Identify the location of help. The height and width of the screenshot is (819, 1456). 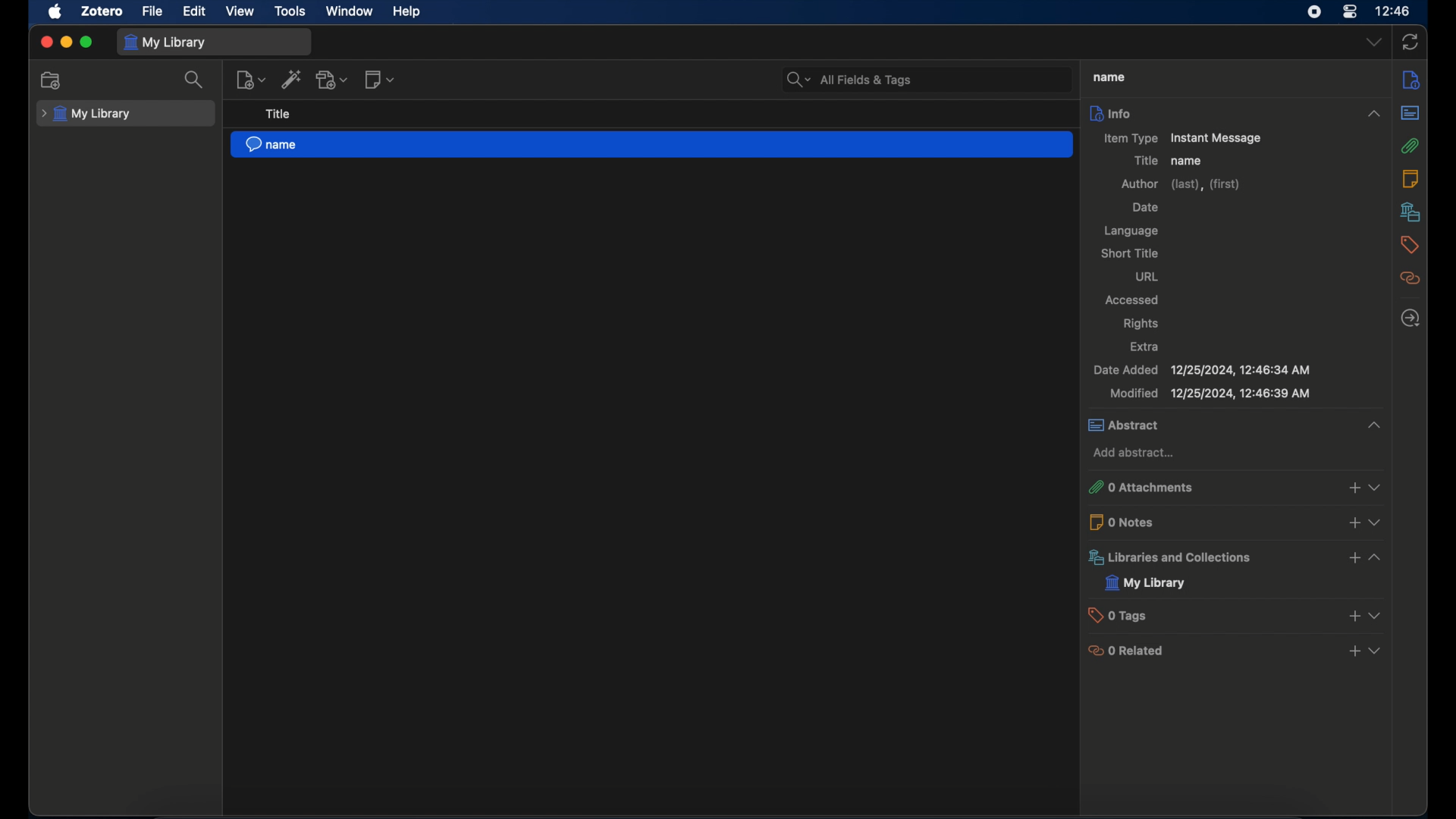
(408, 12).